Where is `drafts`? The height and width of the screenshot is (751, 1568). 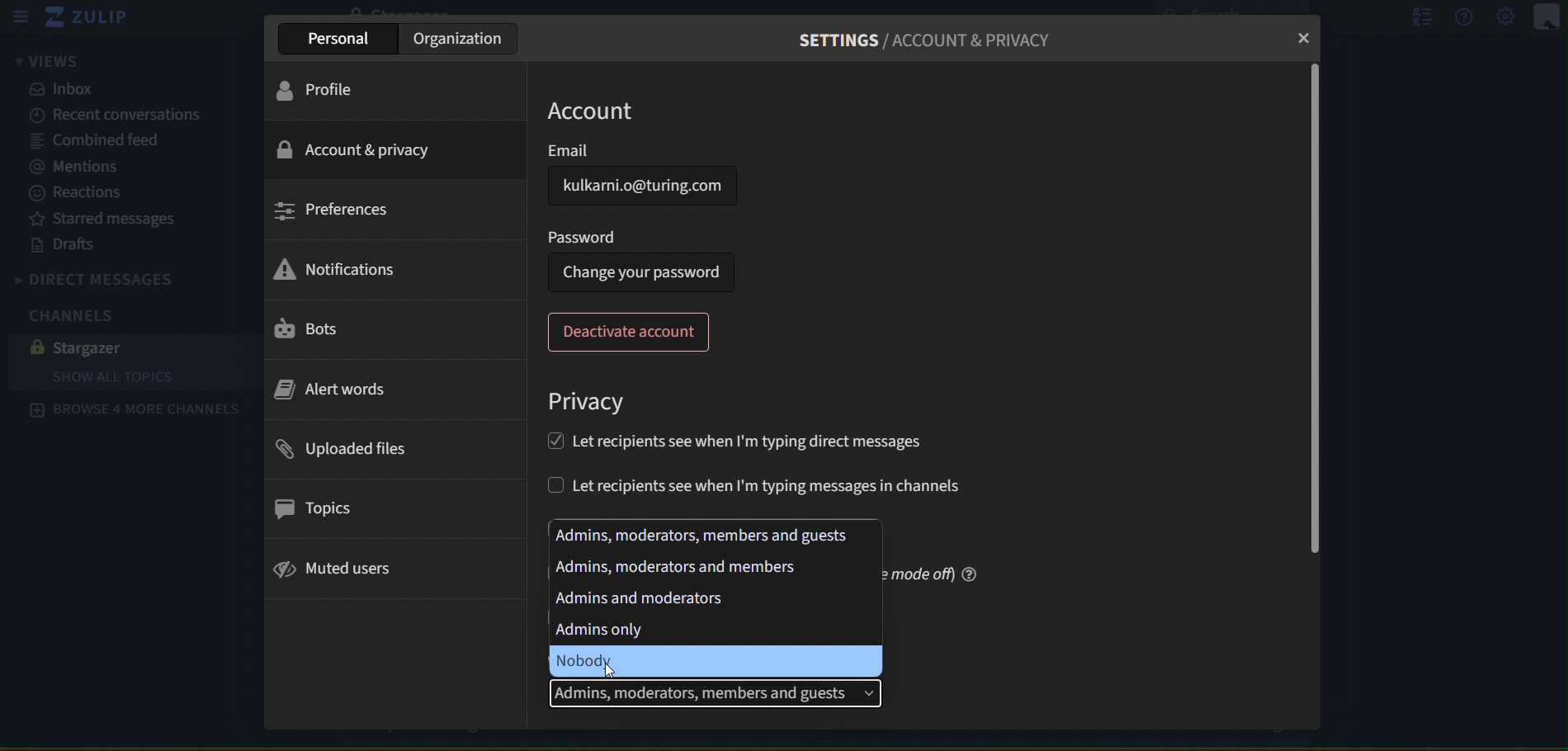
drafts is located at coordinates (68, 245).